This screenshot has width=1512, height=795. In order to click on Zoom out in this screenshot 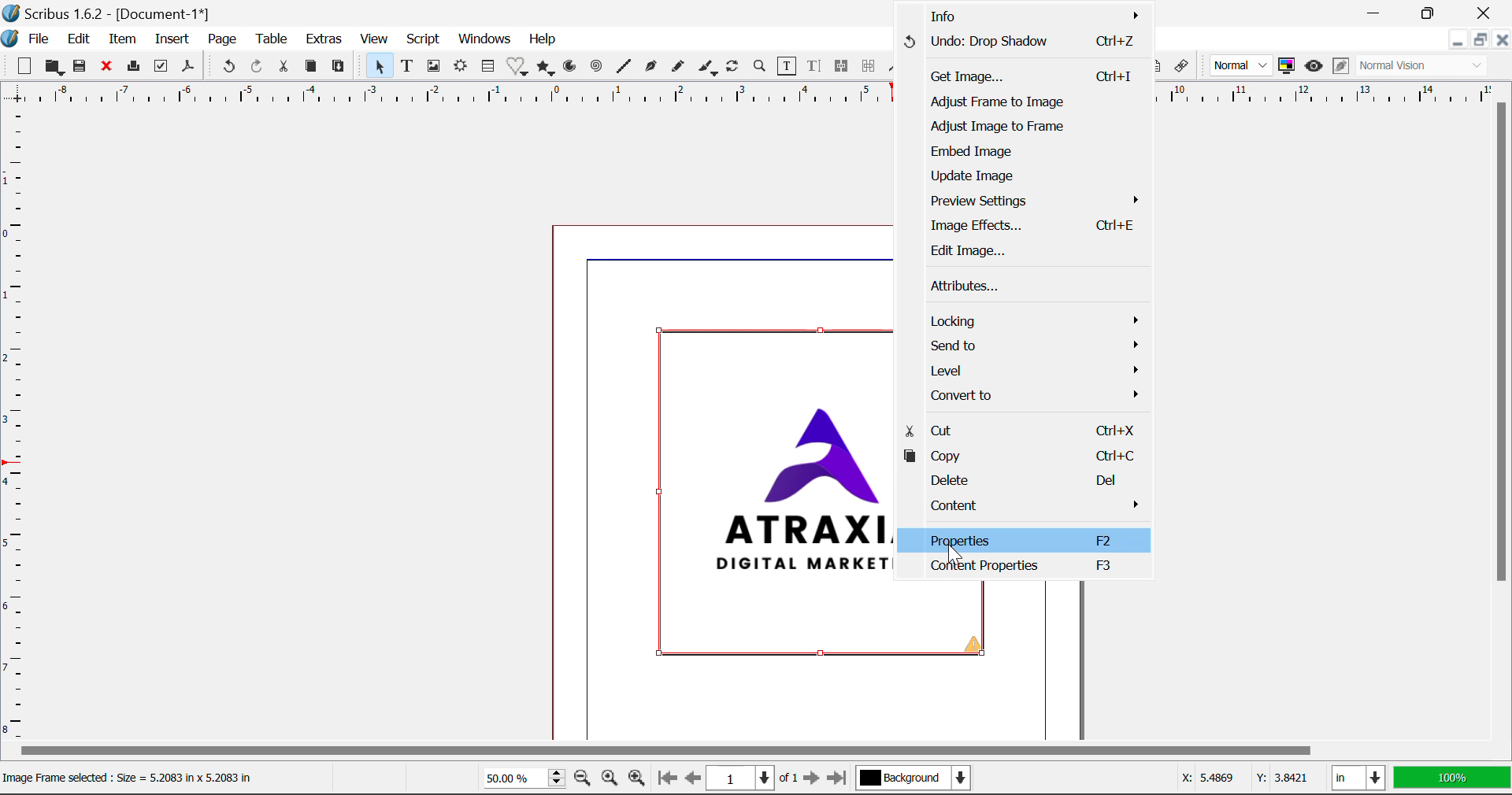, I will do `click(582, 779)`.